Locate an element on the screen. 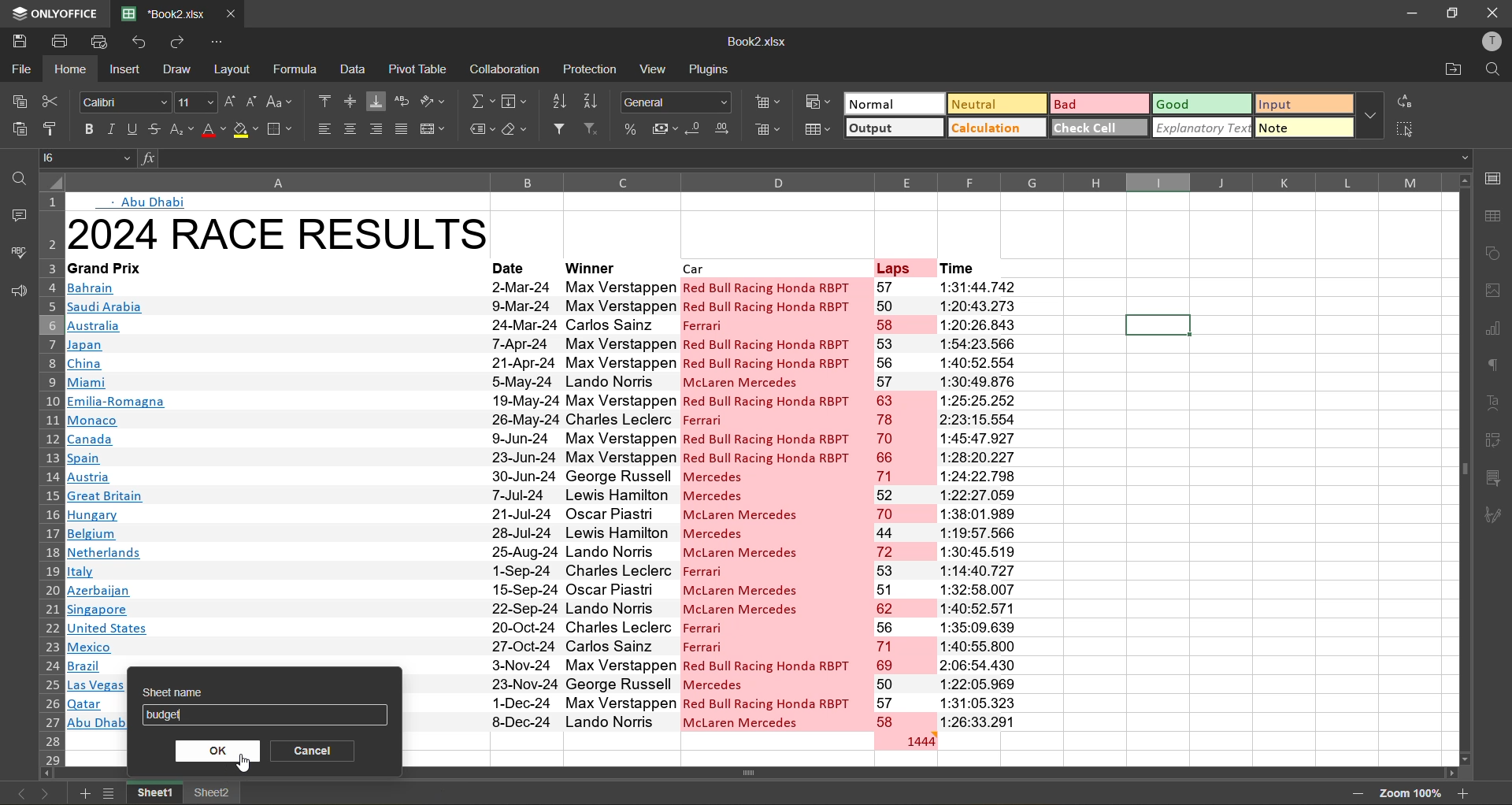 This screenshot has width=1512, height=805. change case is located at coordinates (283, 102).